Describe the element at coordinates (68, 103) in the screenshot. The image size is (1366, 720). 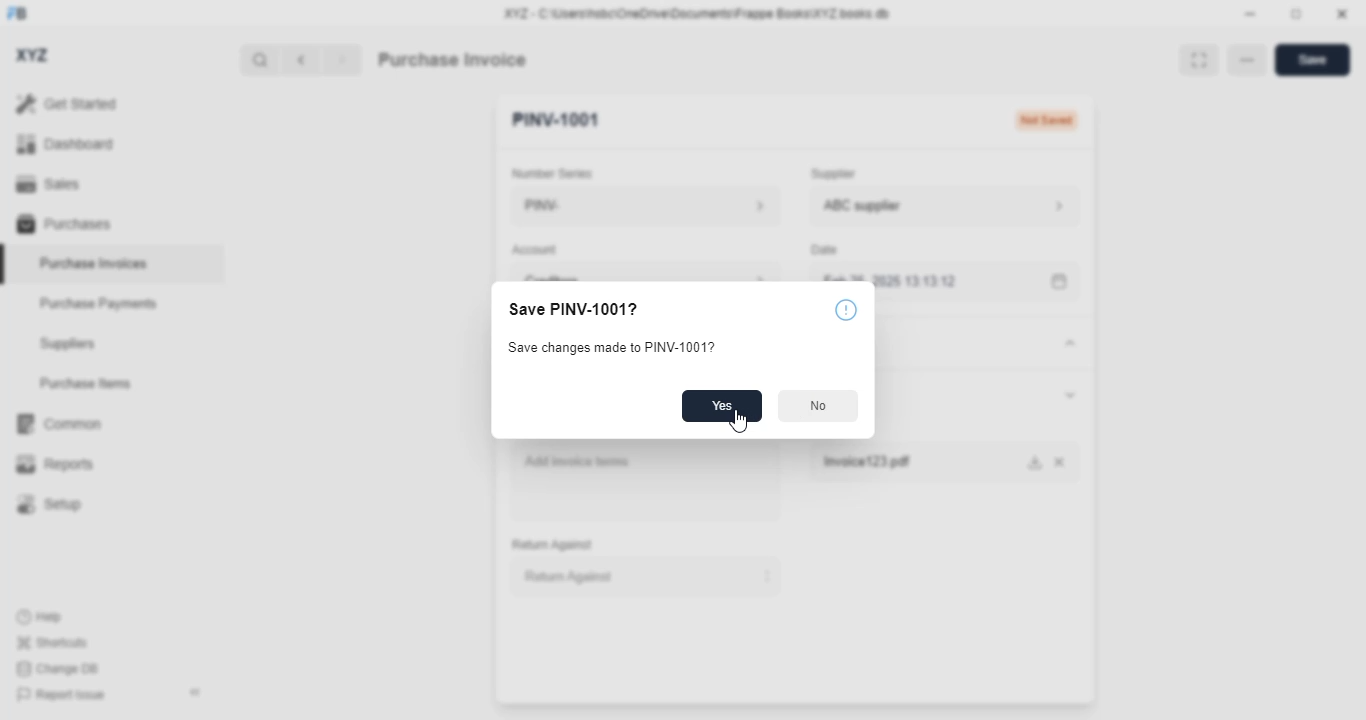
I see `get started` at that location.